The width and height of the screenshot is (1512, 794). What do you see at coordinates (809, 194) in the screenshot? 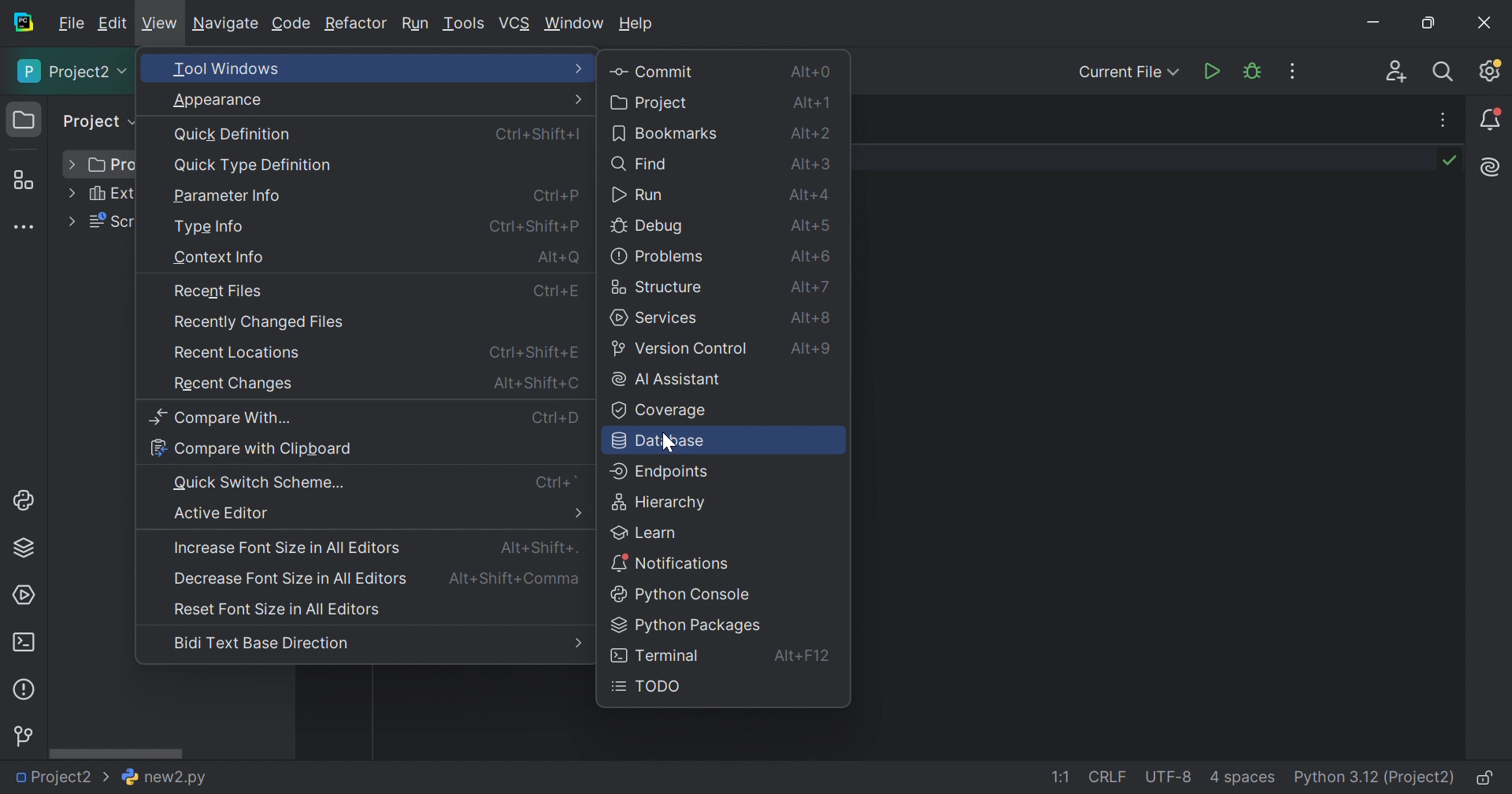
I see `Alt+4` at bounding box center [809, 194].